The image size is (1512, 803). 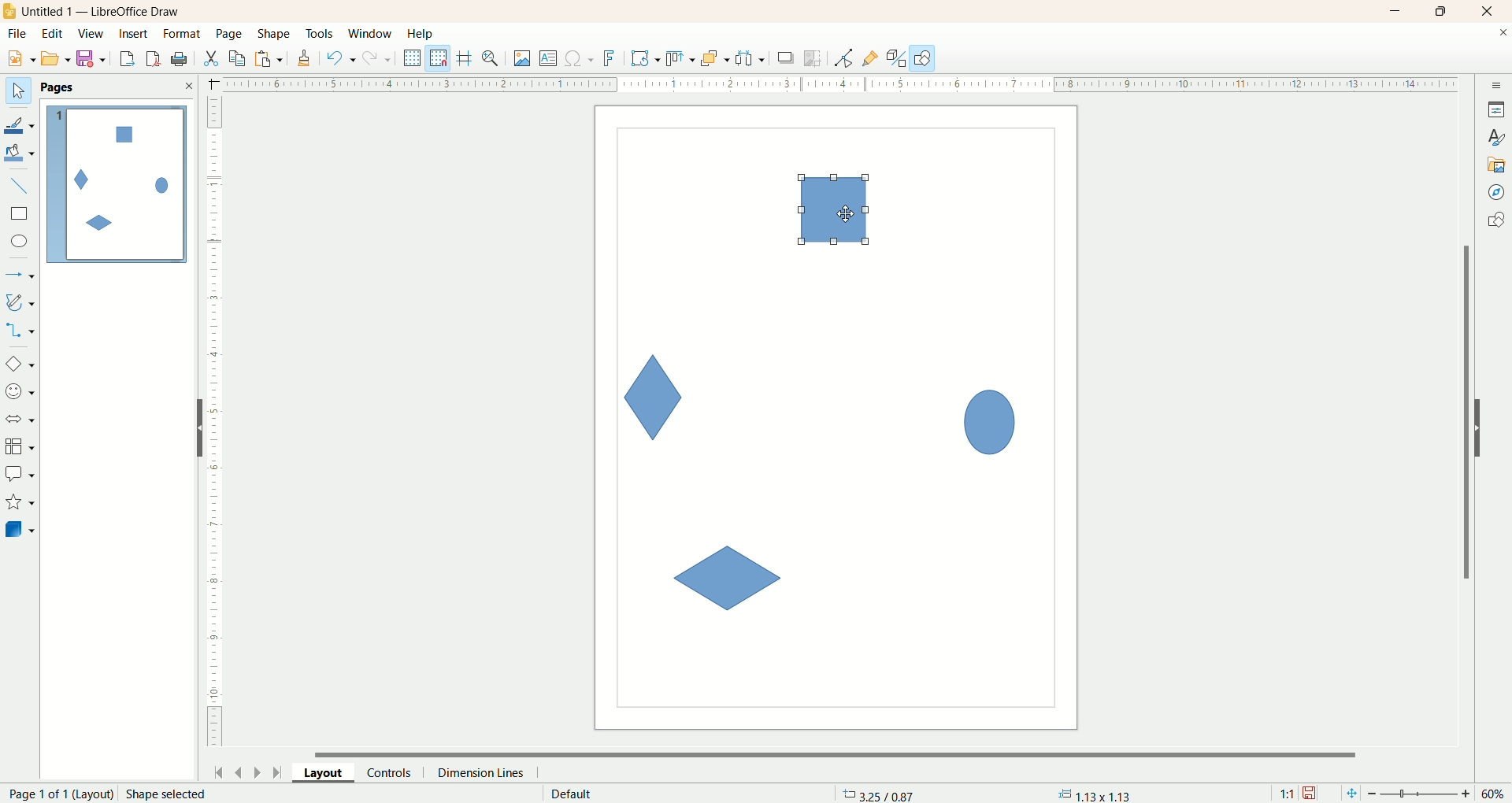 What do you see at coordinates (21, 214) in the screenshot?
I see `rectangle` at bounding box center [21, 214].